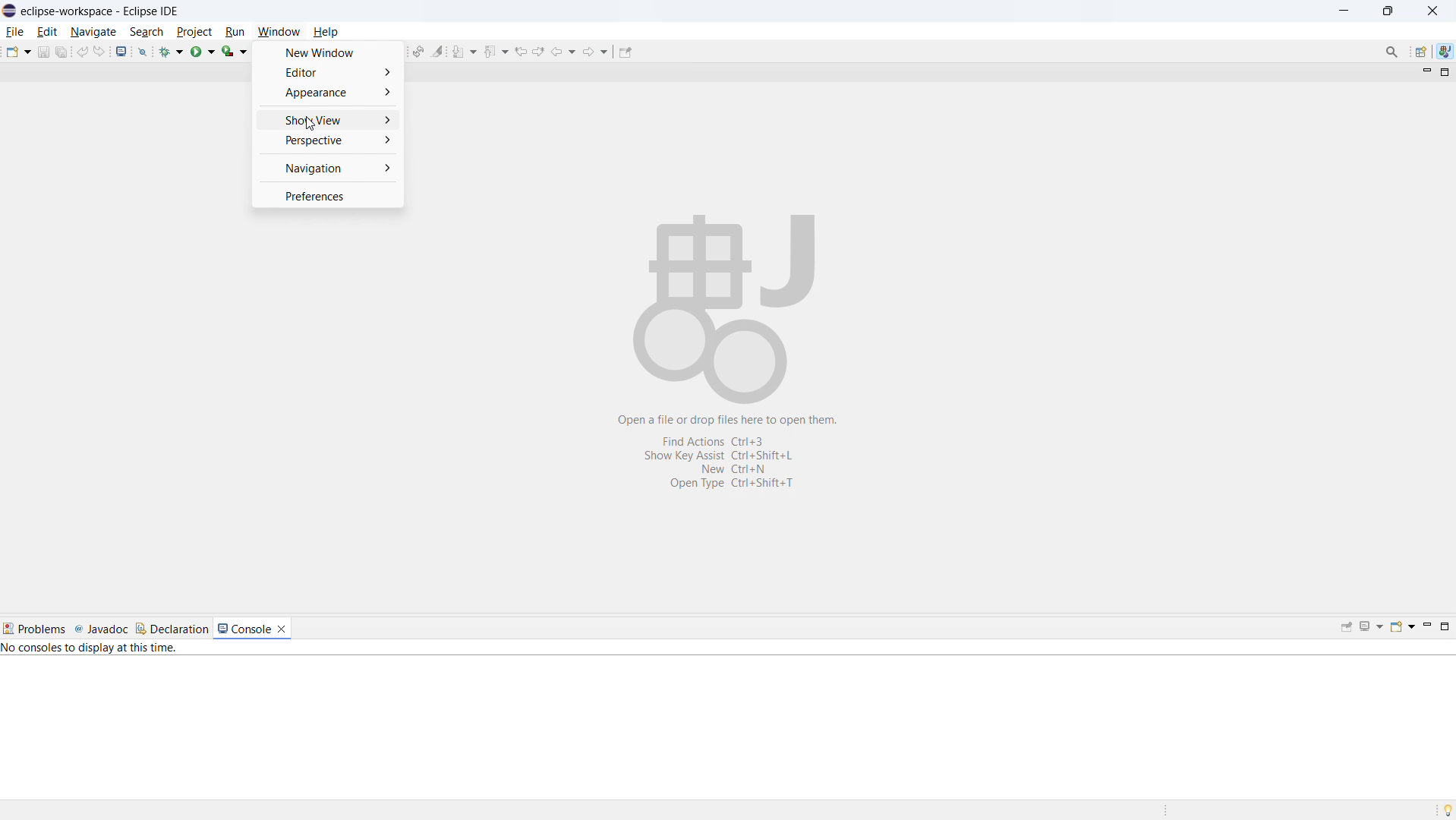 Image resolution: width=1456 pixels, height=820 pixels. Describe the element at coordinates (101, 629) in the screenshot. I see `javadoc` at that location.